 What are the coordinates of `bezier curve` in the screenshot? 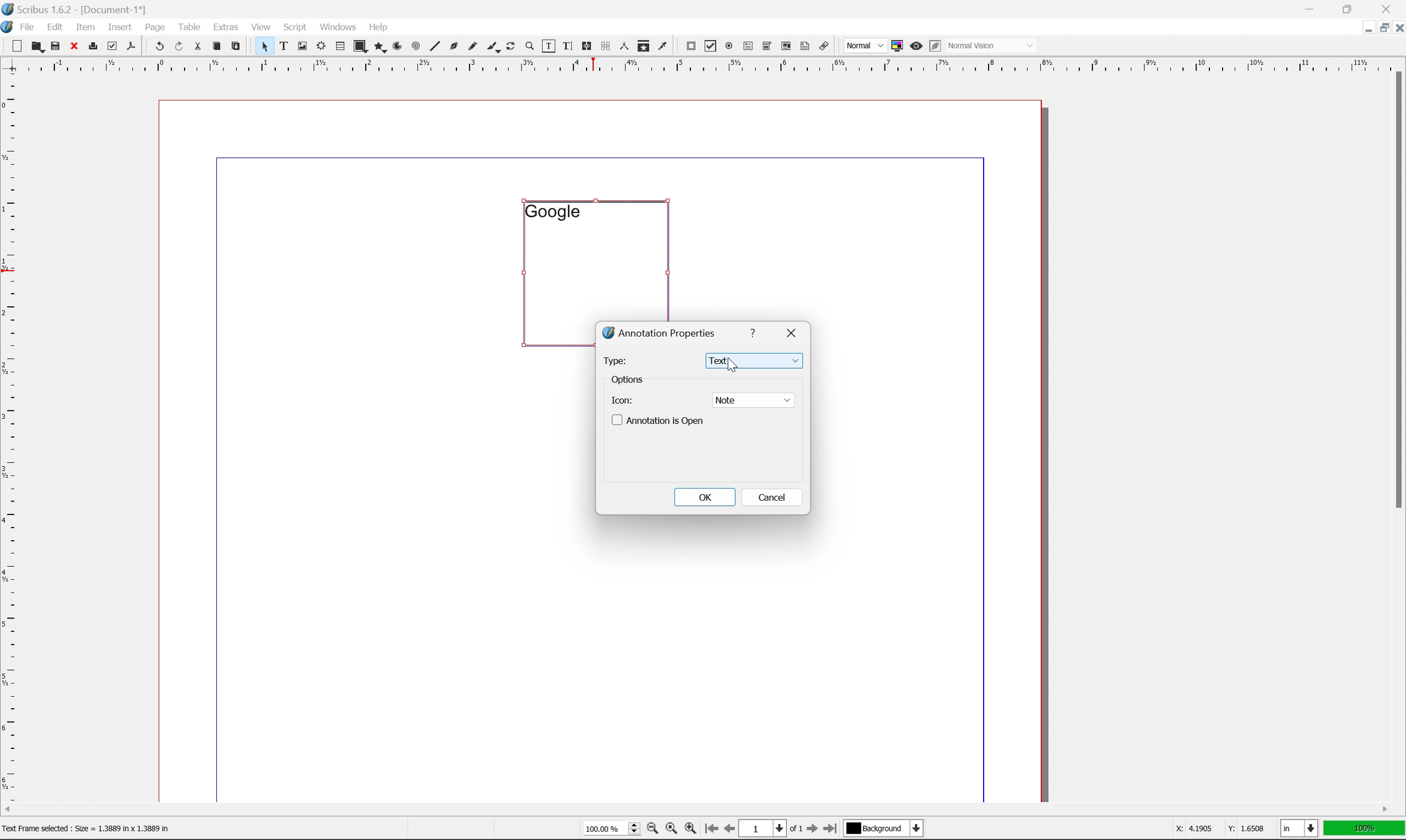 It's located at (454, 46).